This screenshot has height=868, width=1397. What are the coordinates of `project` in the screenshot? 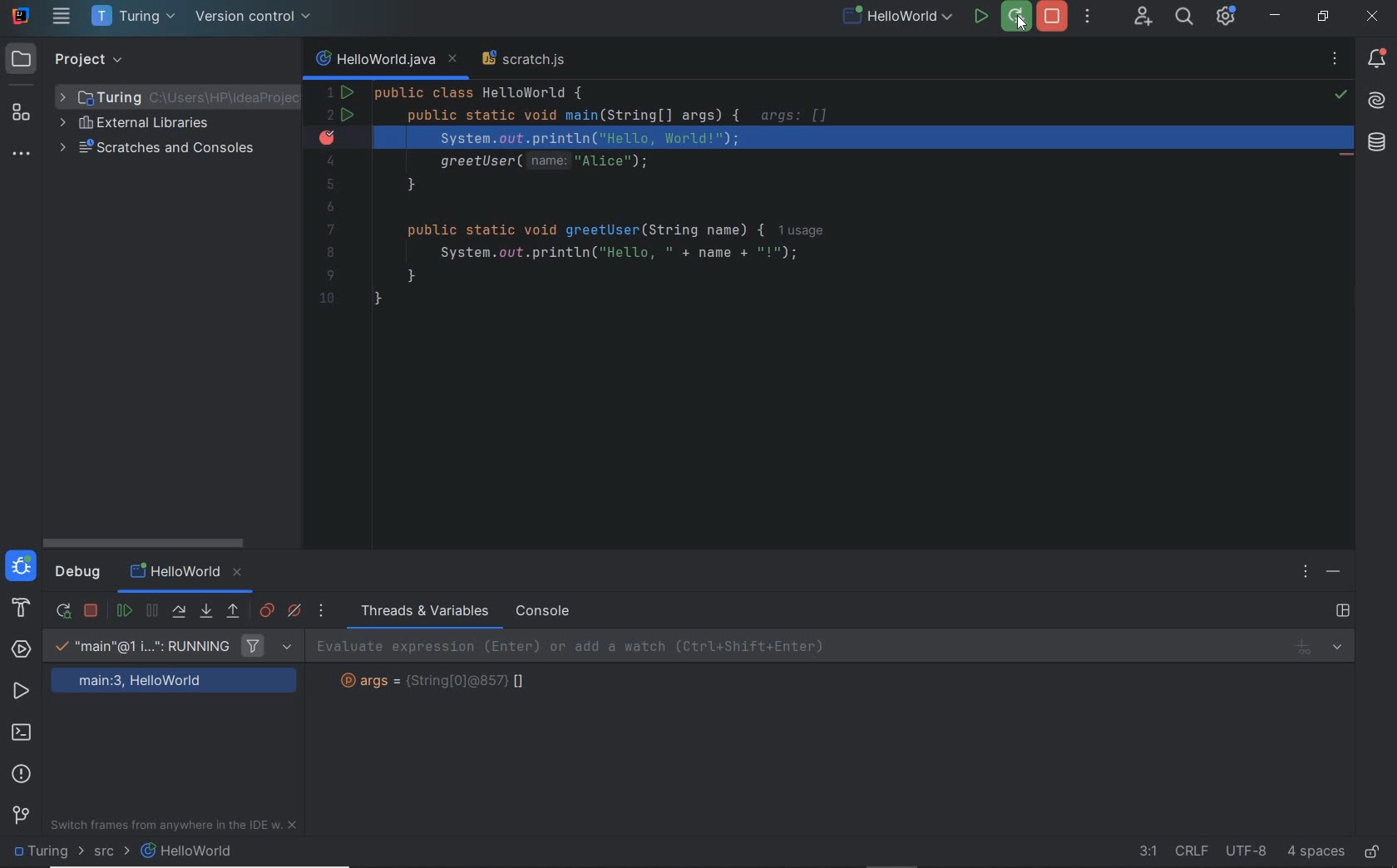 It's located at (72, 60).